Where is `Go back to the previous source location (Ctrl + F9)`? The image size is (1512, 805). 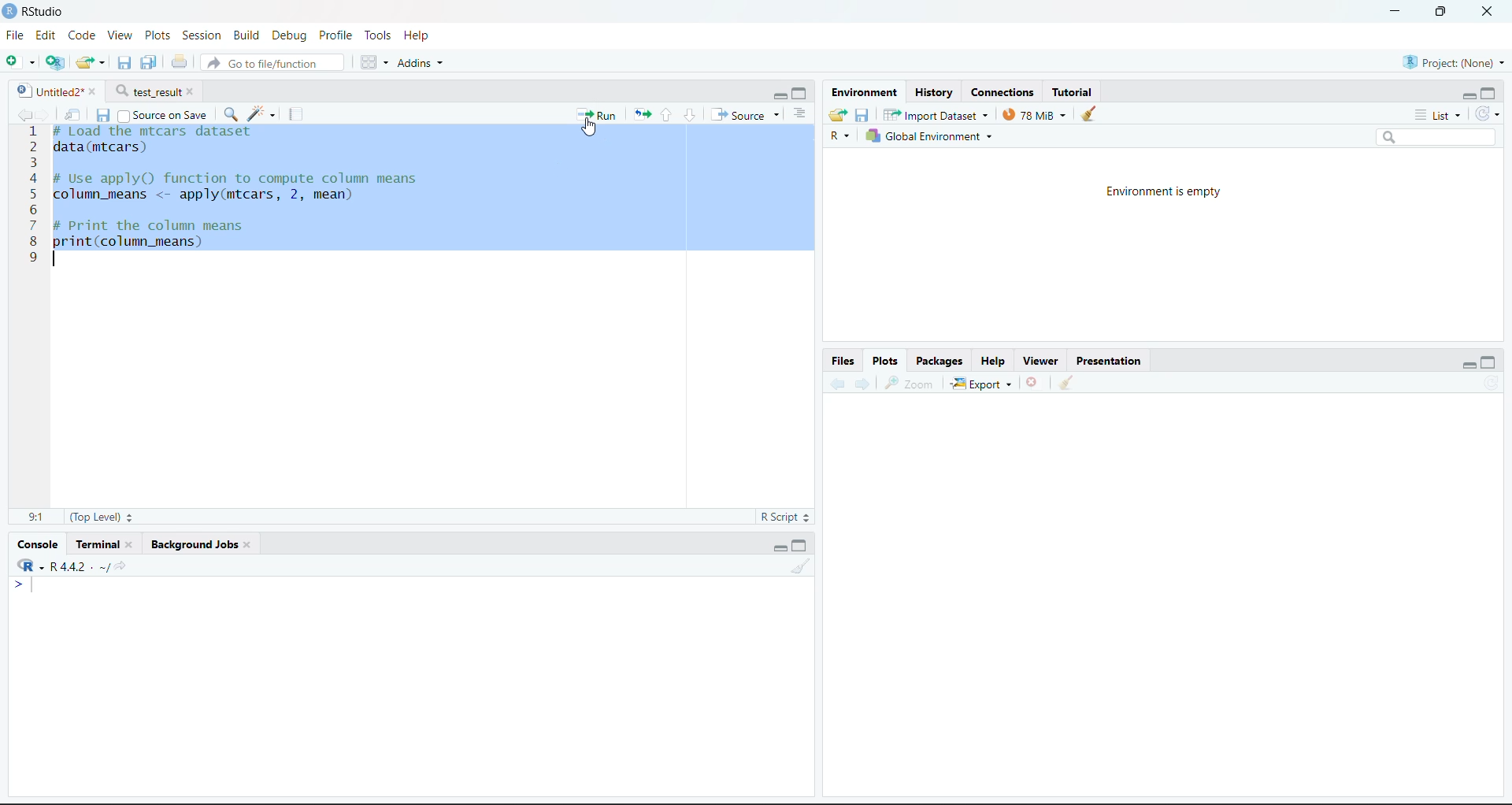
Go back to the previous source location (Ctrl + F9) is located at coordinates (20, 113).